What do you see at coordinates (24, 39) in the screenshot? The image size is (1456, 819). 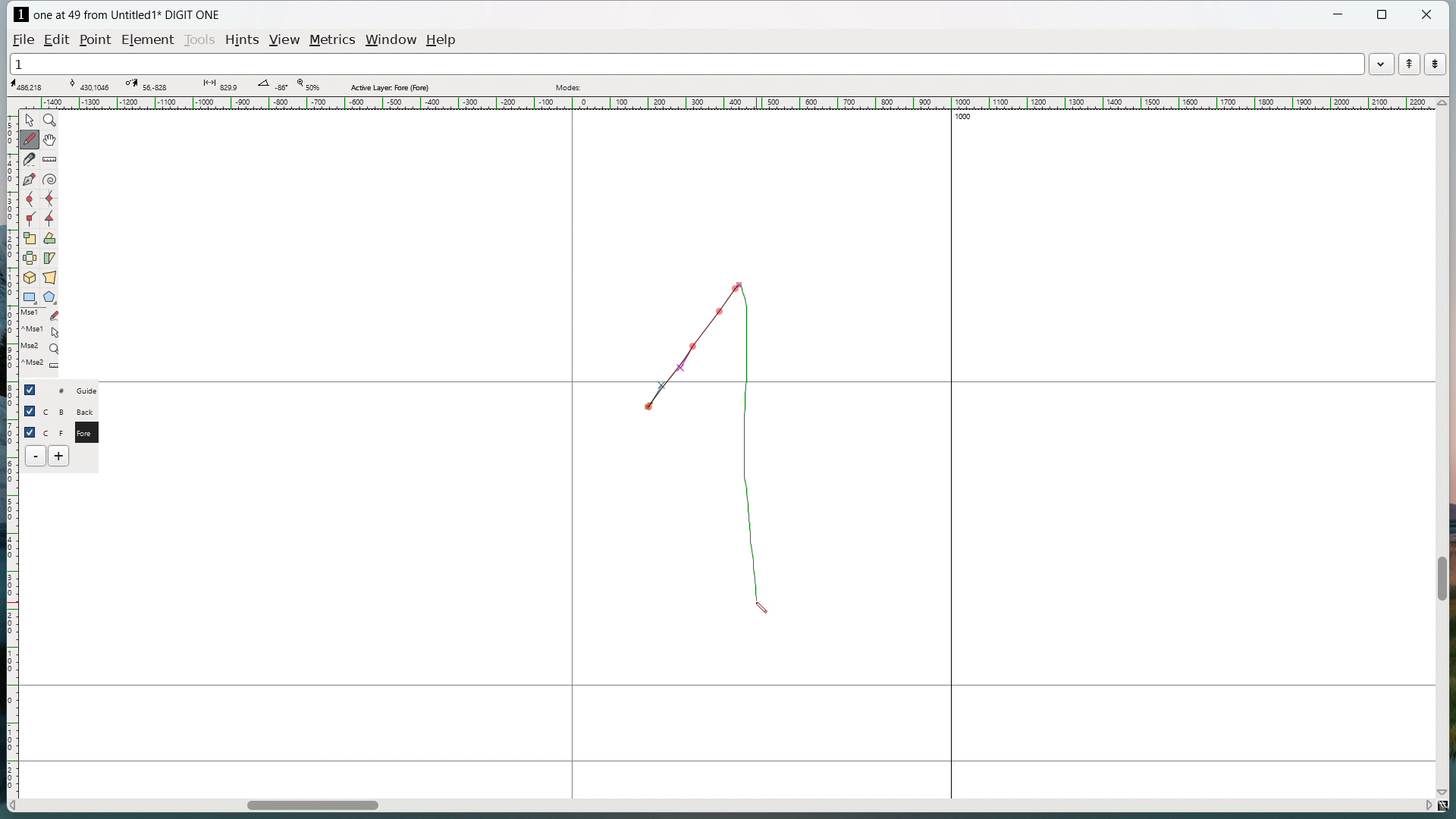 I see `file` at bounding box center [24, 39].